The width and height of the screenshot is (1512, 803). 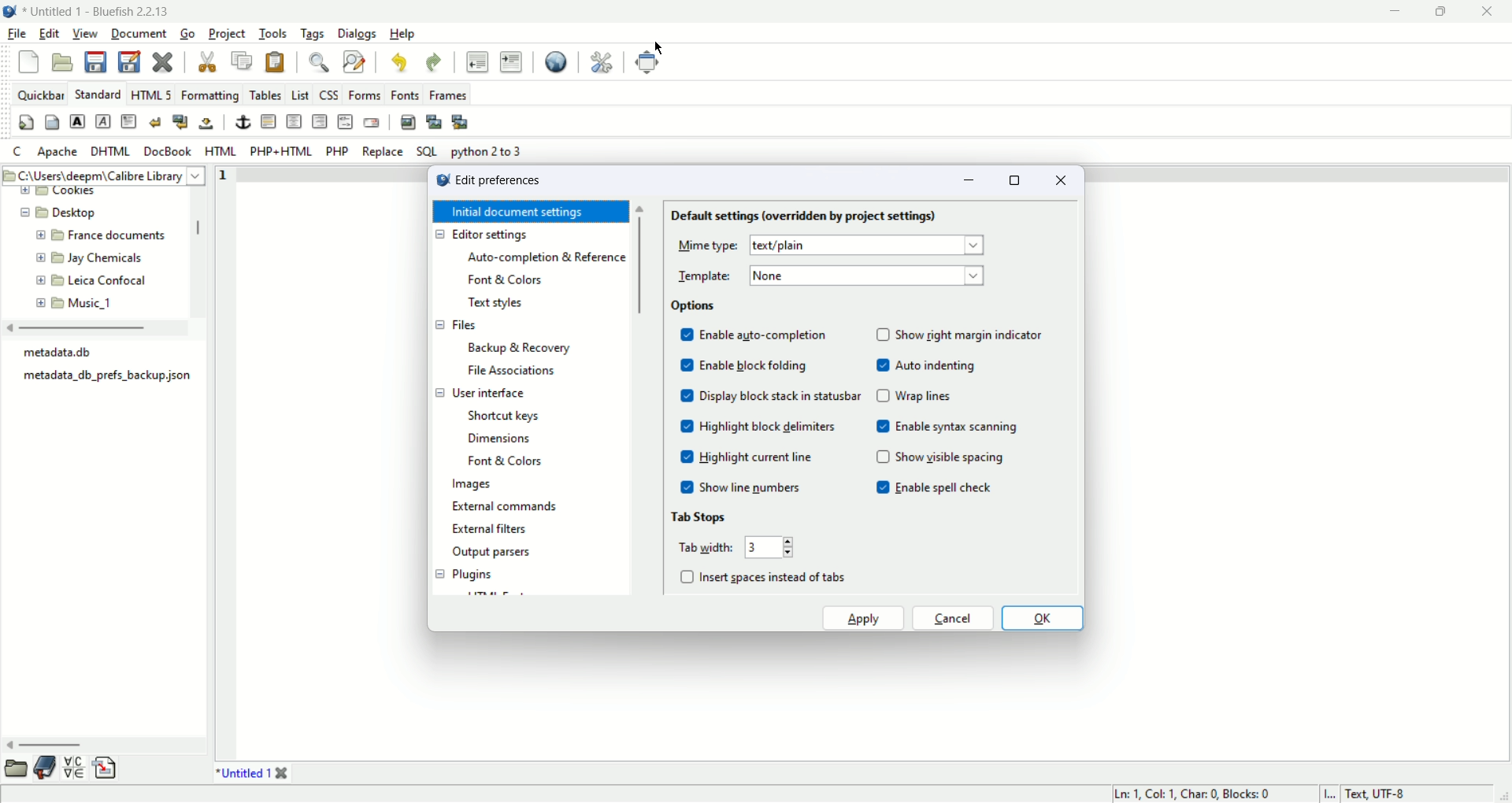 What do you see at coordinates (30, 63) in the screenshot?
I see `new file` at bounding box center [30, 63].